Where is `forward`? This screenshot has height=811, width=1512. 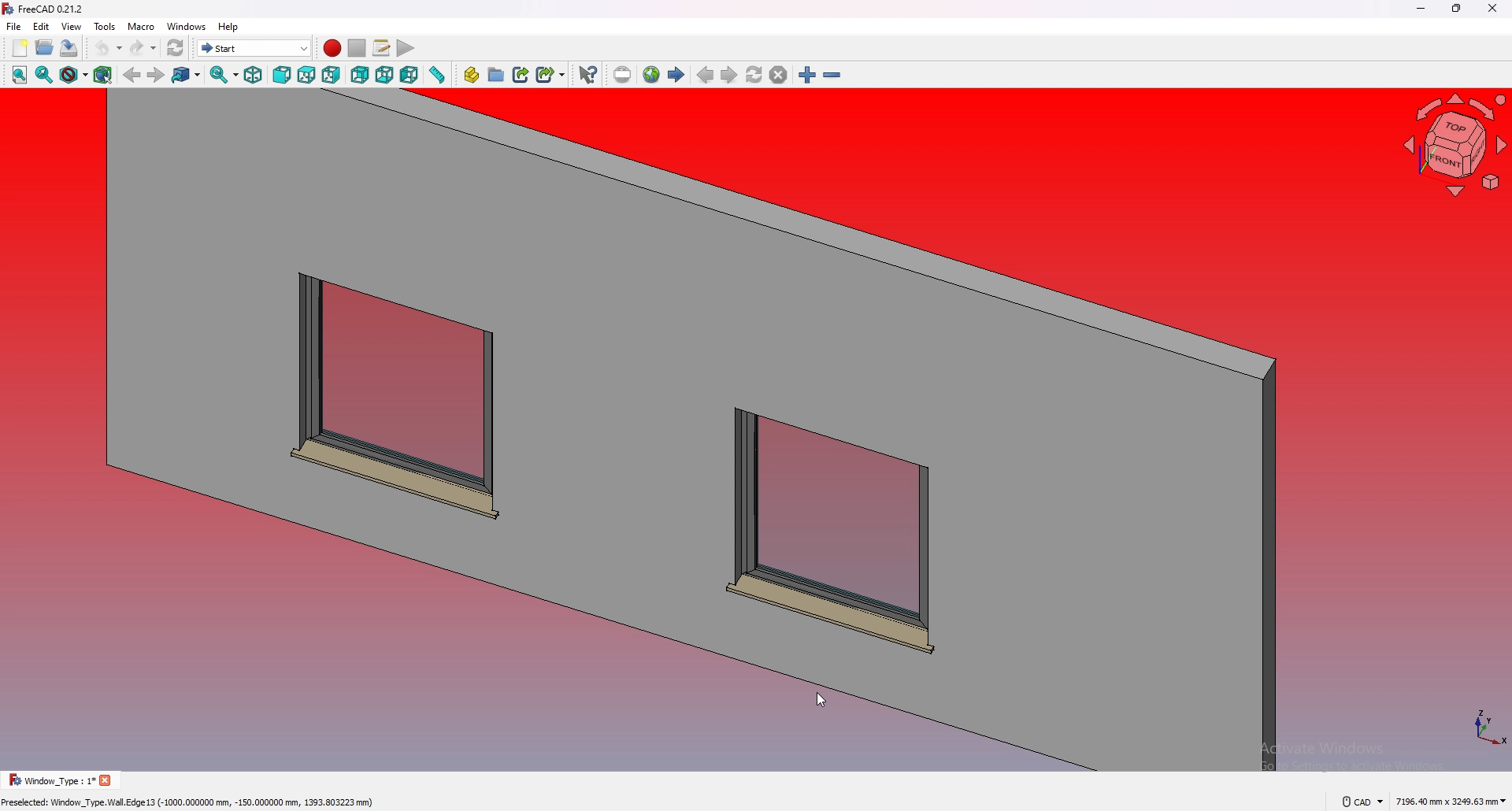 forward is located at coordinates (155, 76).